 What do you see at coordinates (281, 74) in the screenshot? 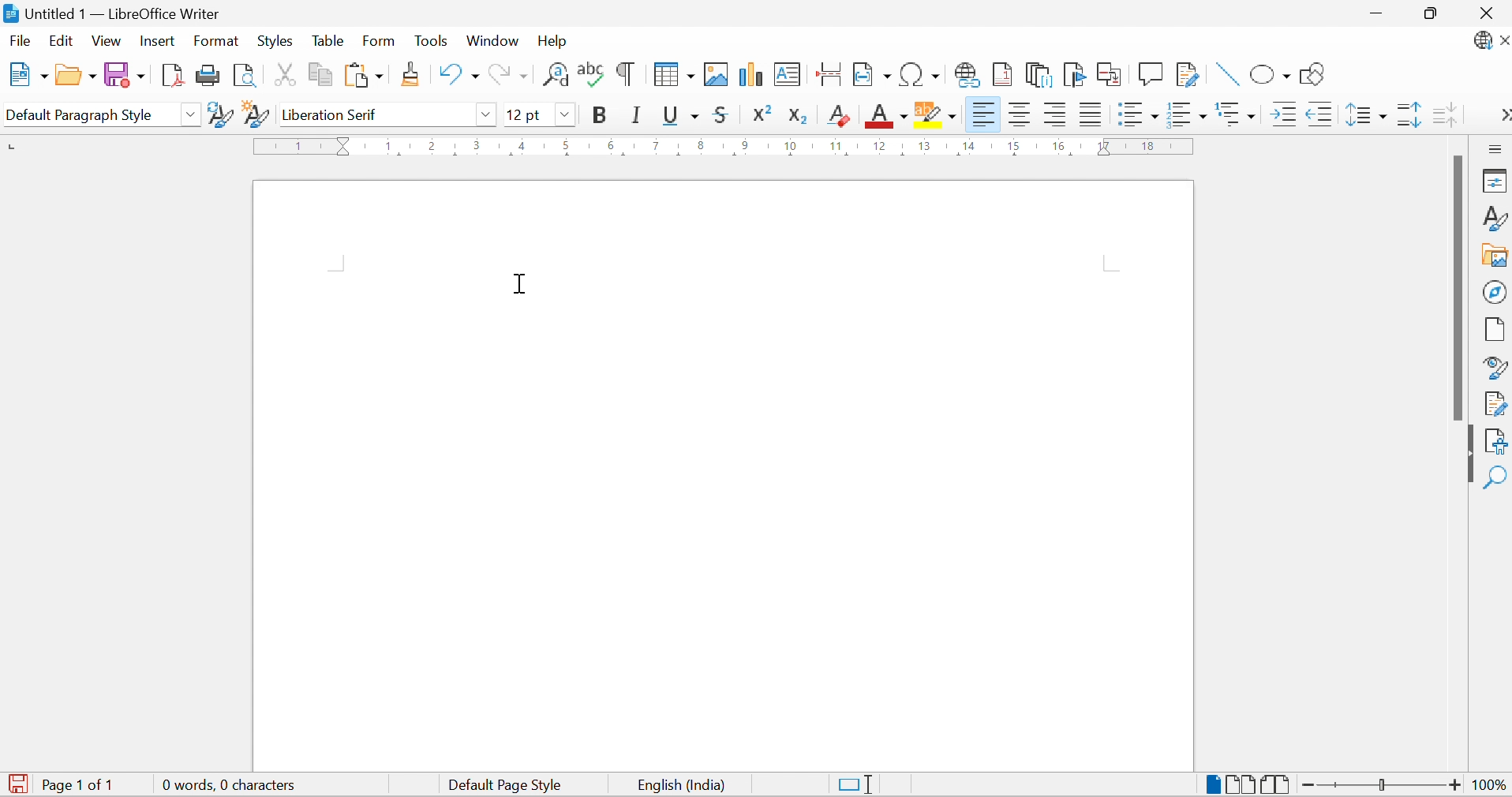
I see `Cut` at bounding box center [281, 74].